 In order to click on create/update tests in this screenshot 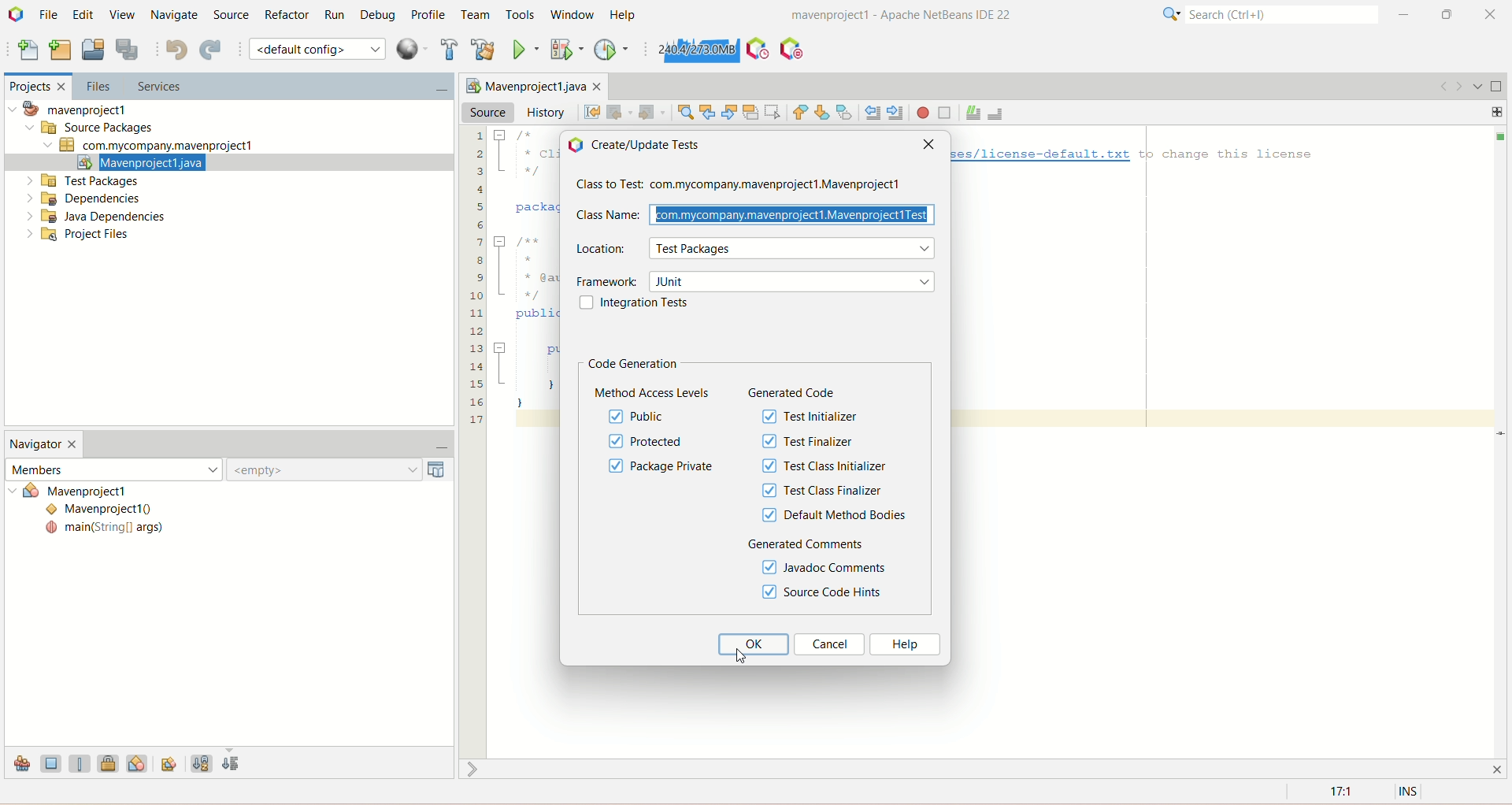, I will do `click(650, 147)`.